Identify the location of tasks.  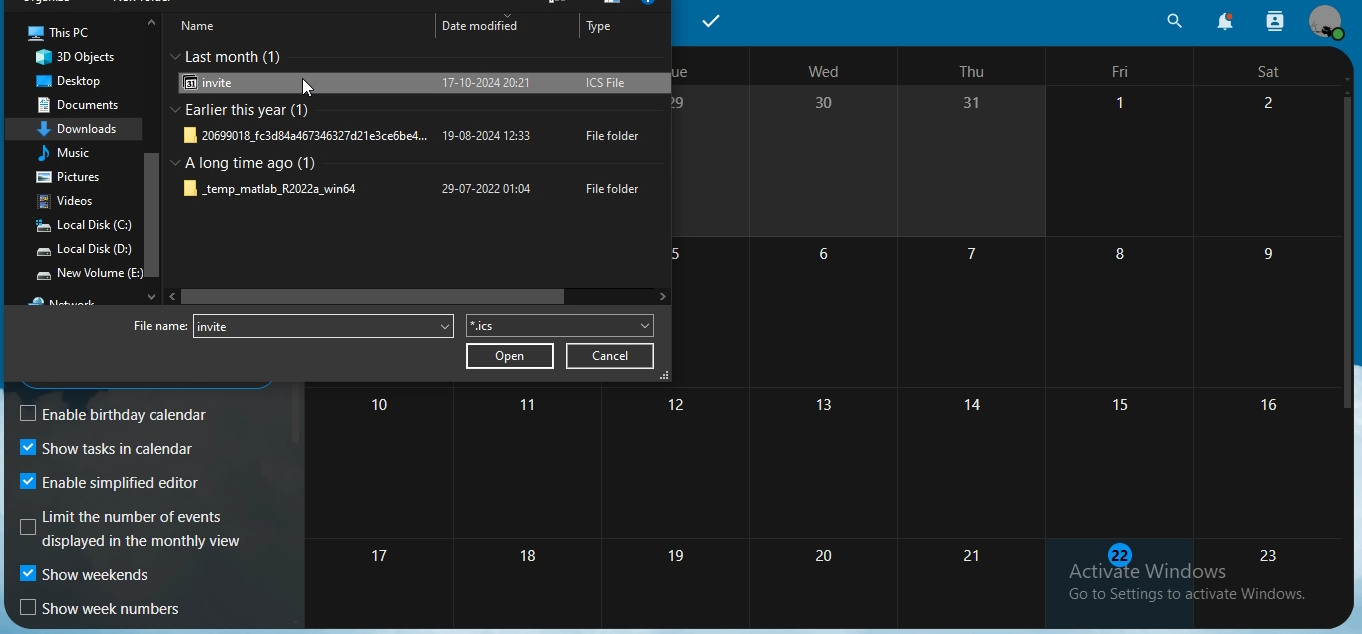
(715, 19).